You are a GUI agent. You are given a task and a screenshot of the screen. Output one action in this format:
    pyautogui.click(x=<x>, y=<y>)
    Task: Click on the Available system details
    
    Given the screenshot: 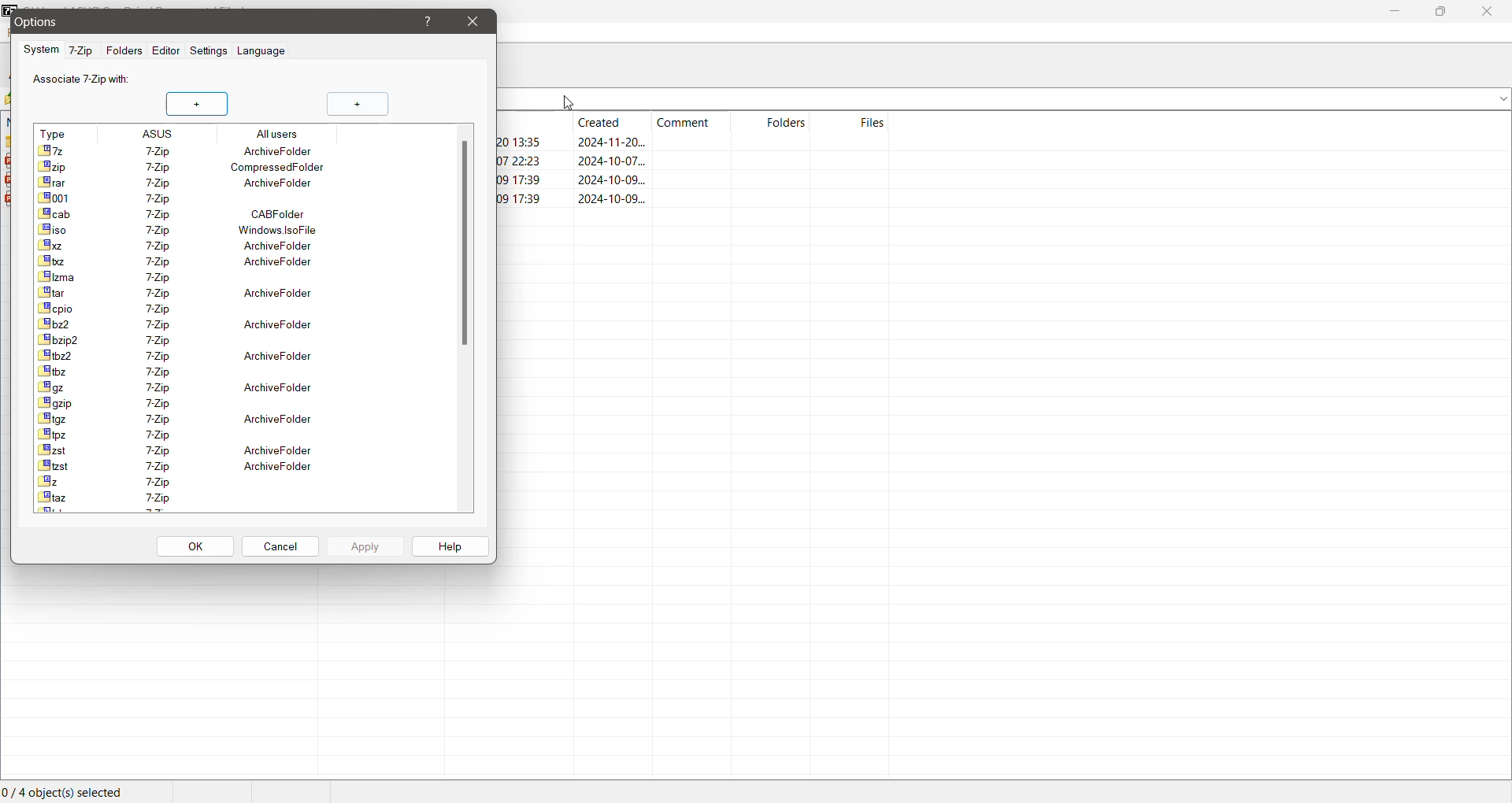 What is the action you would take?
    pyautogui.click(x=189, y=481)
    